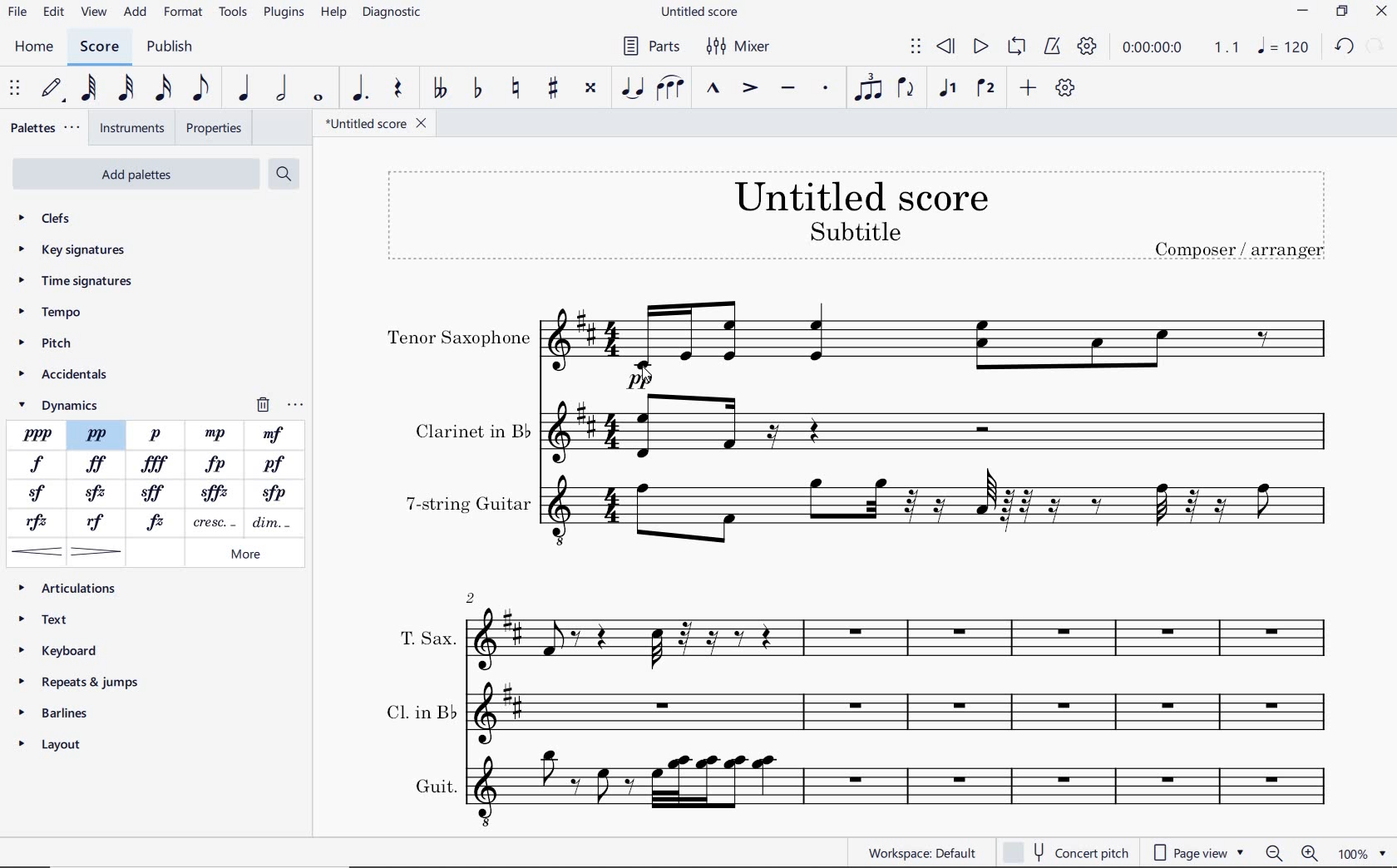 The height and width of the screenshot is (868, 1397). Describe the element at coordinates (156, 491) in the screenshot. I see `SFF(SFORZANDO)` at that location.